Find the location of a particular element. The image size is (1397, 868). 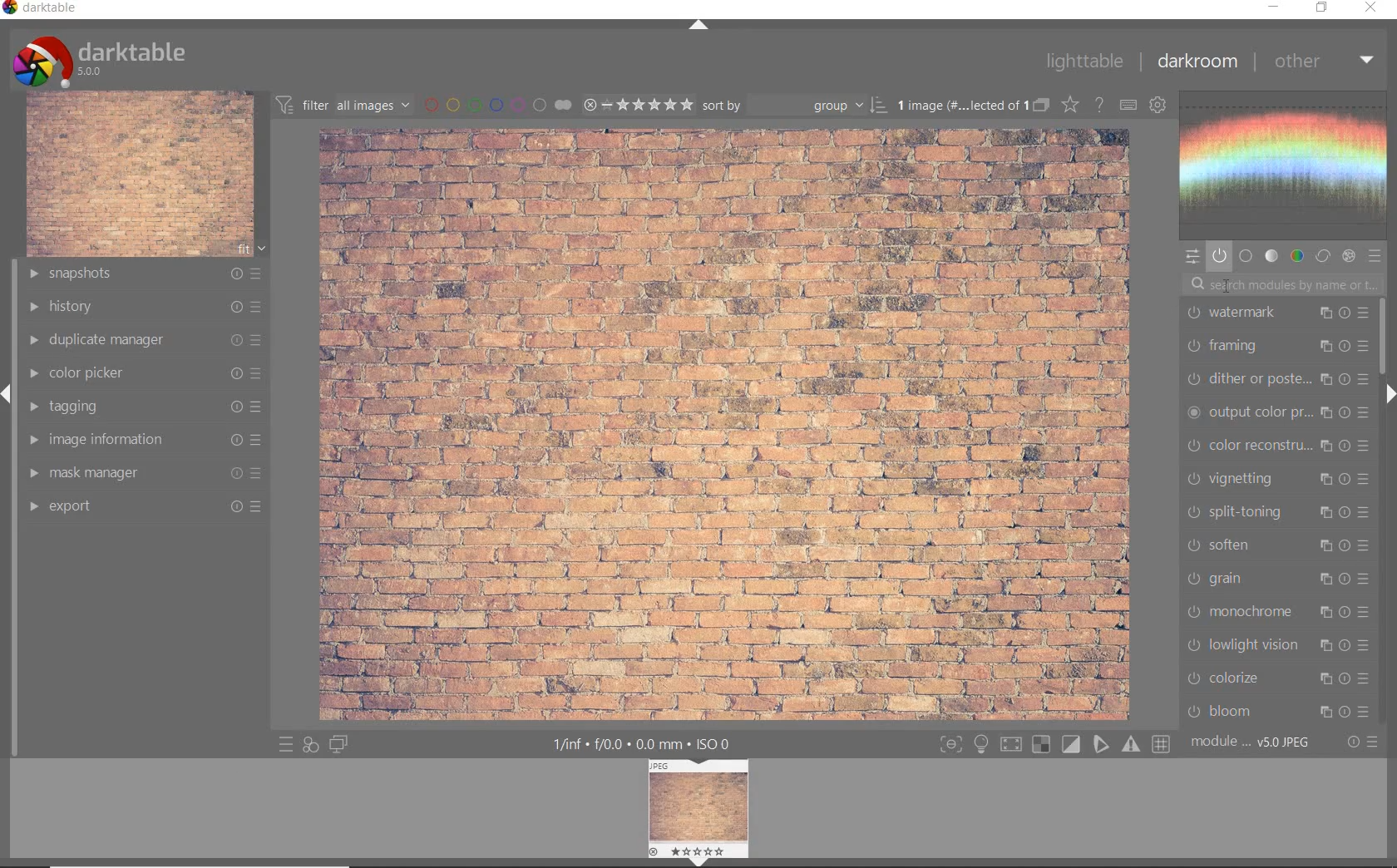

dither or paste is located at coordinates (1278, 378).